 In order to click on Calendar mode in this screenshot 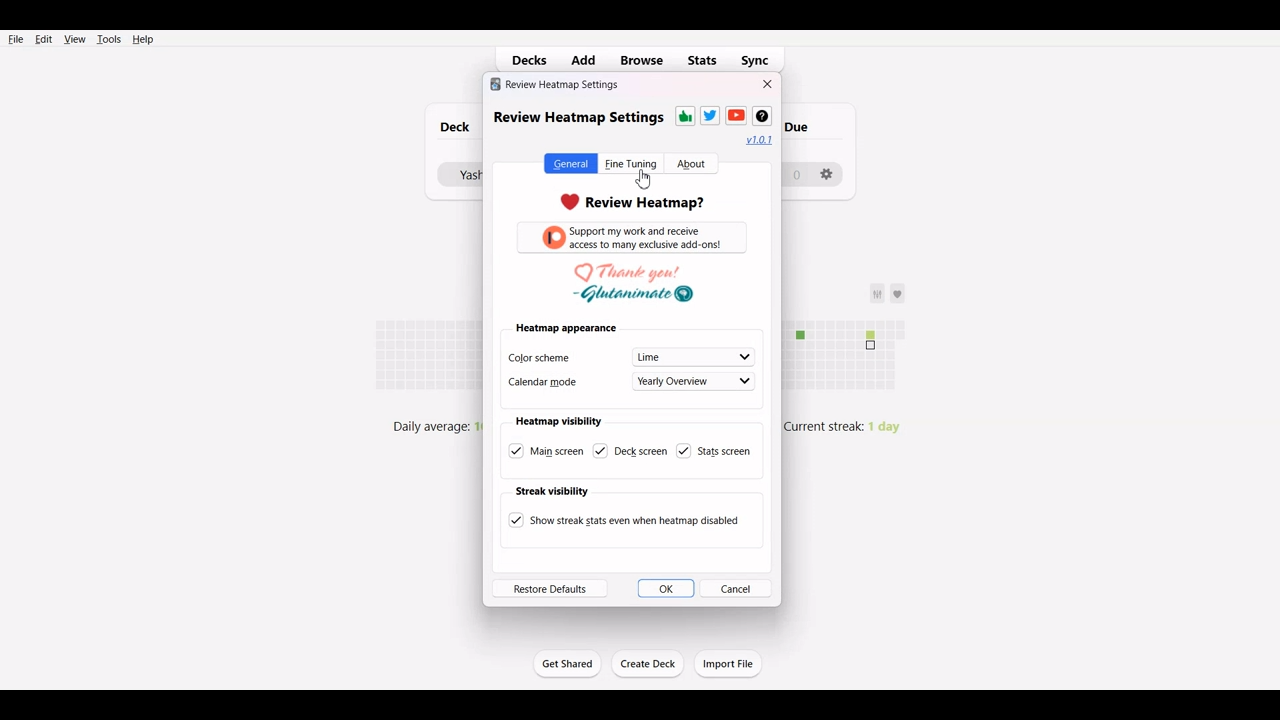, I will do `click(556, 383)`.